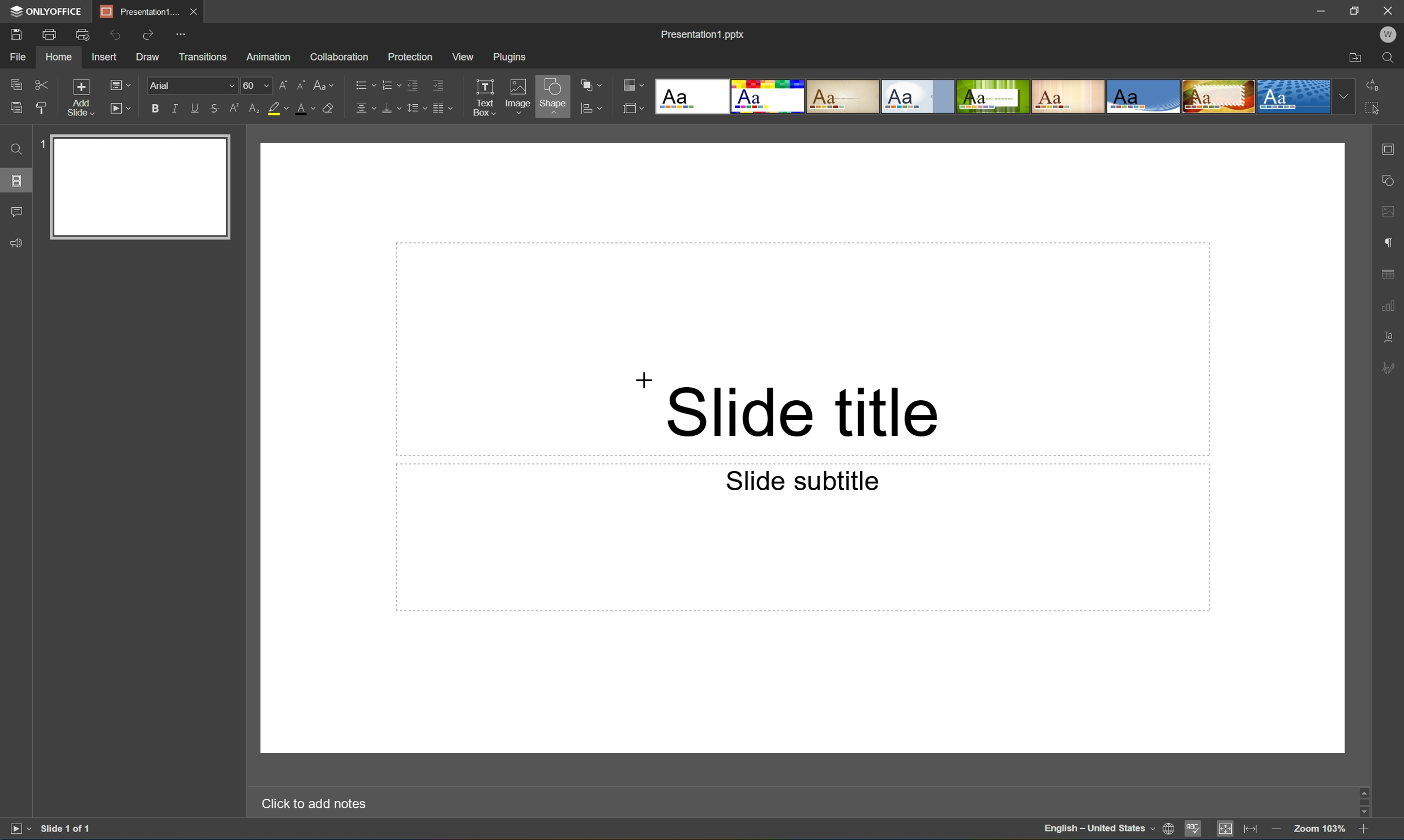 The image size is (1404, 840). I want to click on Increment font size, so click(281, 84).